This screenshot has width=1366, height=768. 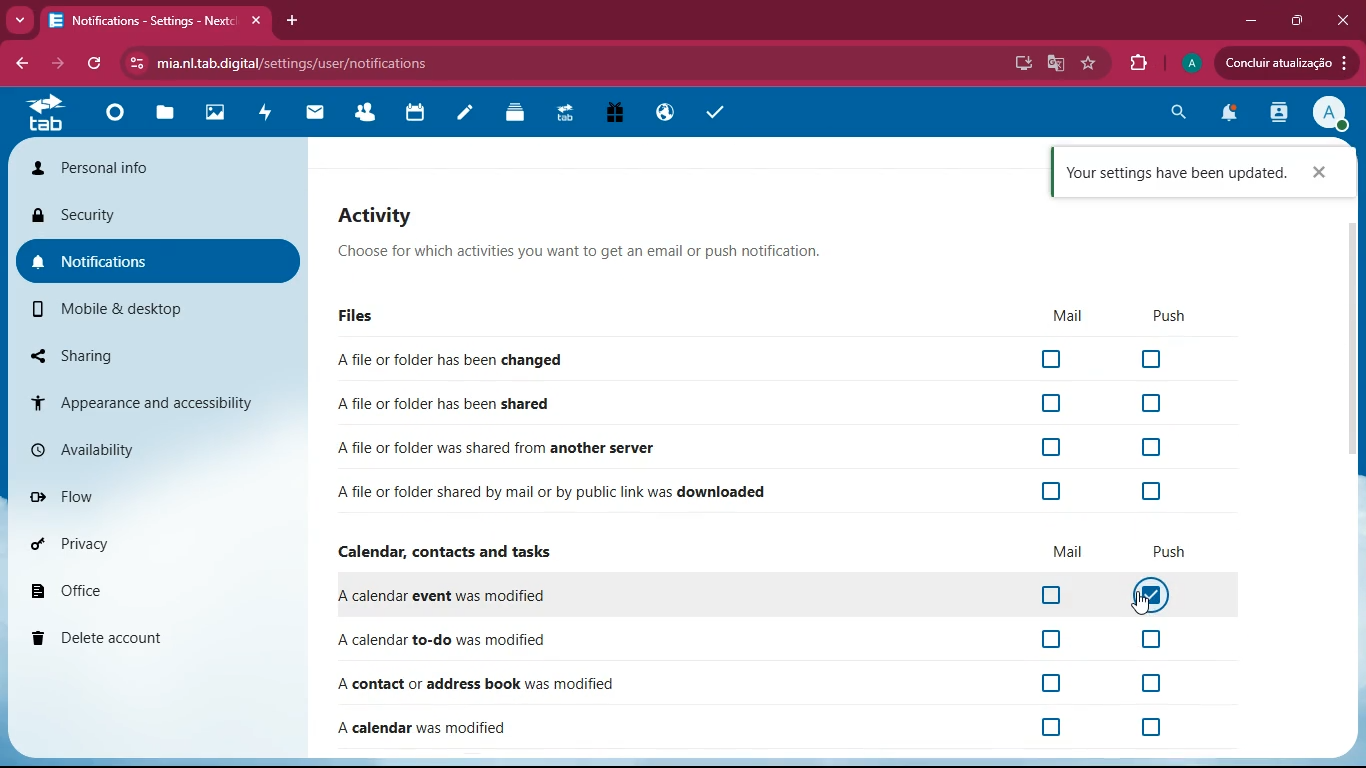 What do you see at coordinates (1313, 173) in the screenshot?
I see `Close` at bounding box center [1313, 173].